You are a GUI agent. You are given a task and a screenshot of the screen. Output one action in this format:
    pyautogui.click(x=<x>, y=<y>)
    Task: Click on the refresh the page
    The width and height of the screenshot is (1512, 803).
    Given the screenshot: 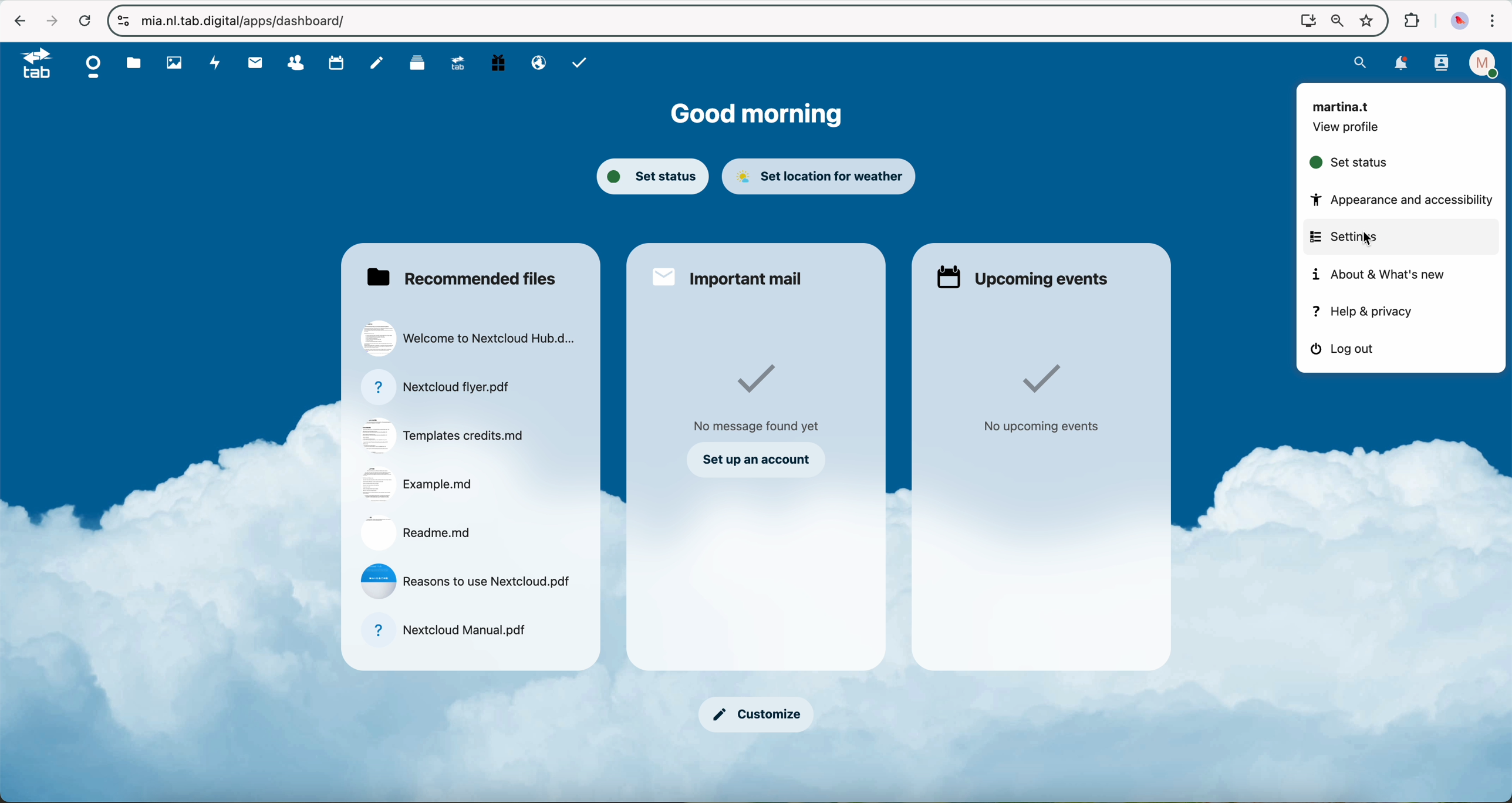 What is the action you would take?
    pyautogui.click(x=84, y=20)
    